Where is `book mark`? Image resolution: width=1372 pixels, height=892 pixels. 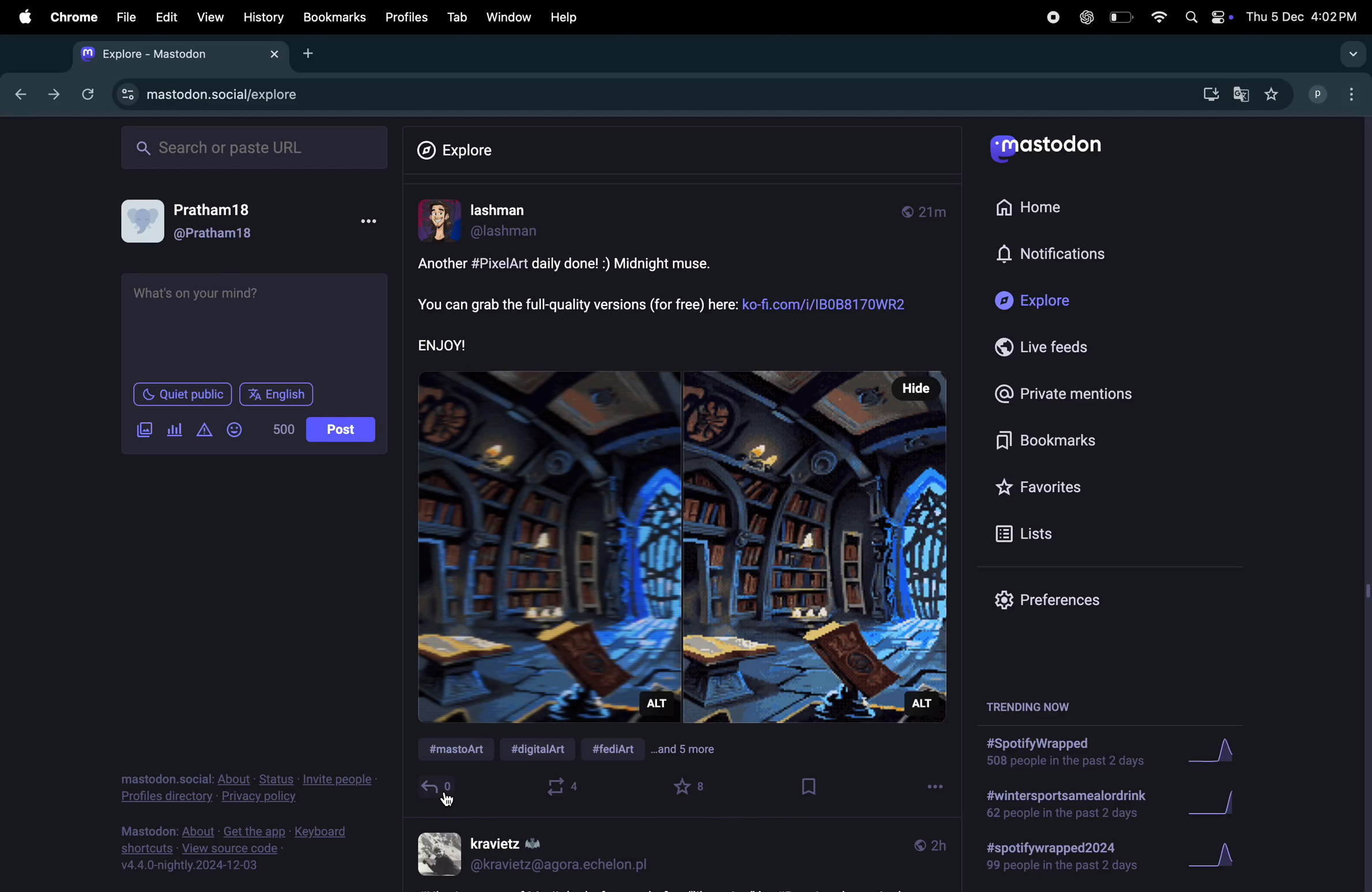
book mark is located at coordinates (806, 788).